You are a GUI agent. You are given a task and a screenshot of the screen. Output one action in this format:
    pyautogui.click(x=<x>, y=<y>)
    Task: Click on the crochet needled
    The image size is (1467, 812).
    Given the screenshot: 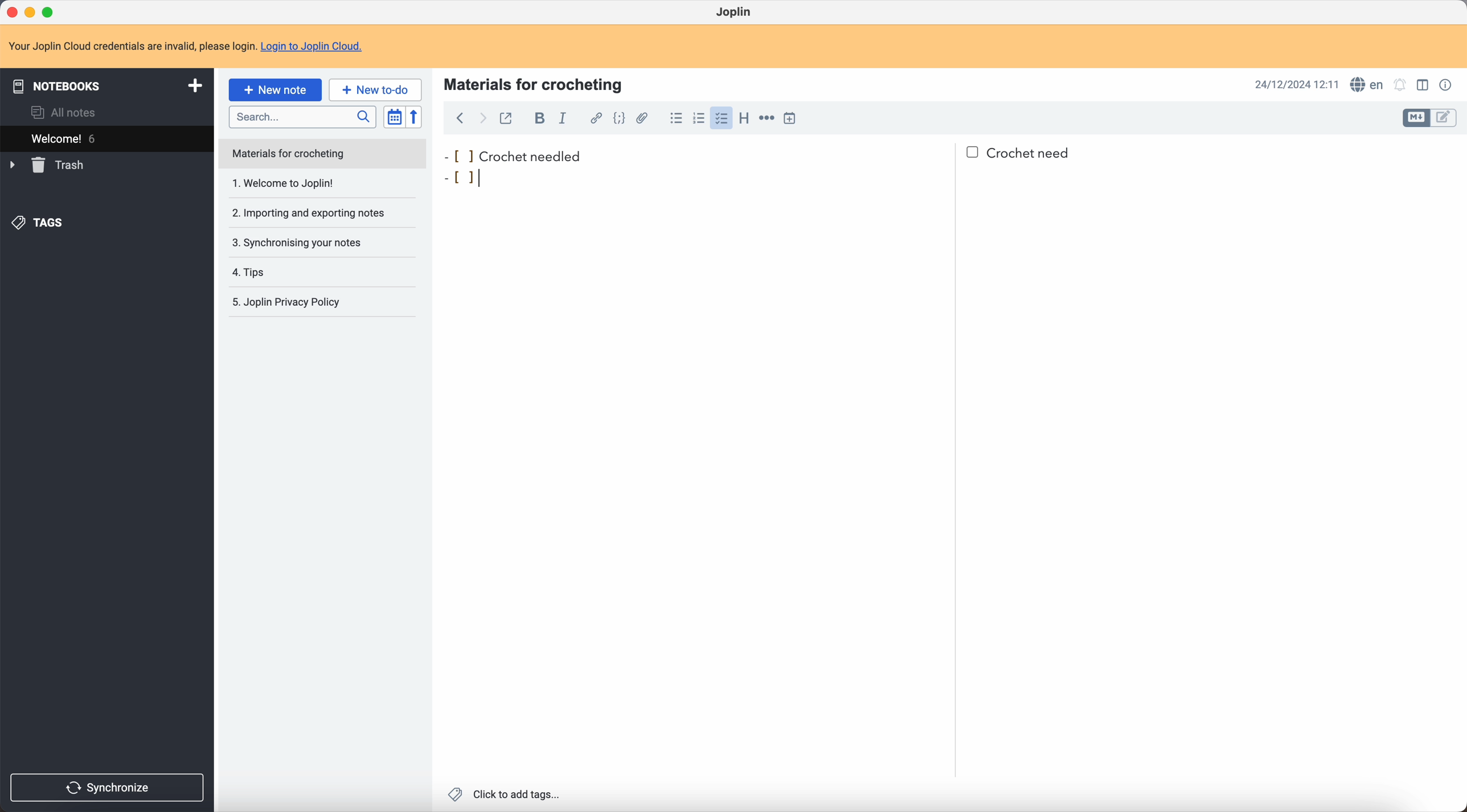 What is the action you would take?
    pyautogui.click(x=756, y=151)
    